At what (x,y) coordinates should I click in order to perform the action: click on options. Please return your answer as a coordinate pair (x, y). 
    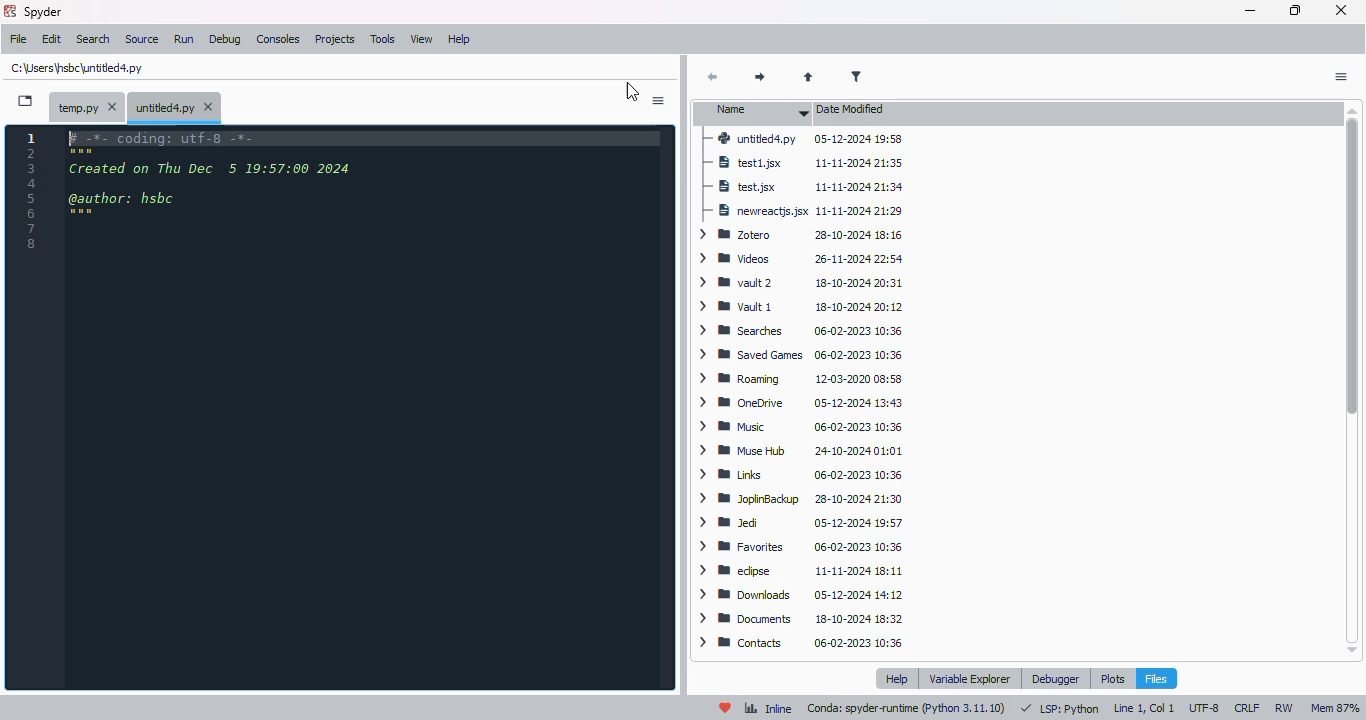
    Looking at the image, I should click on (659, 101).